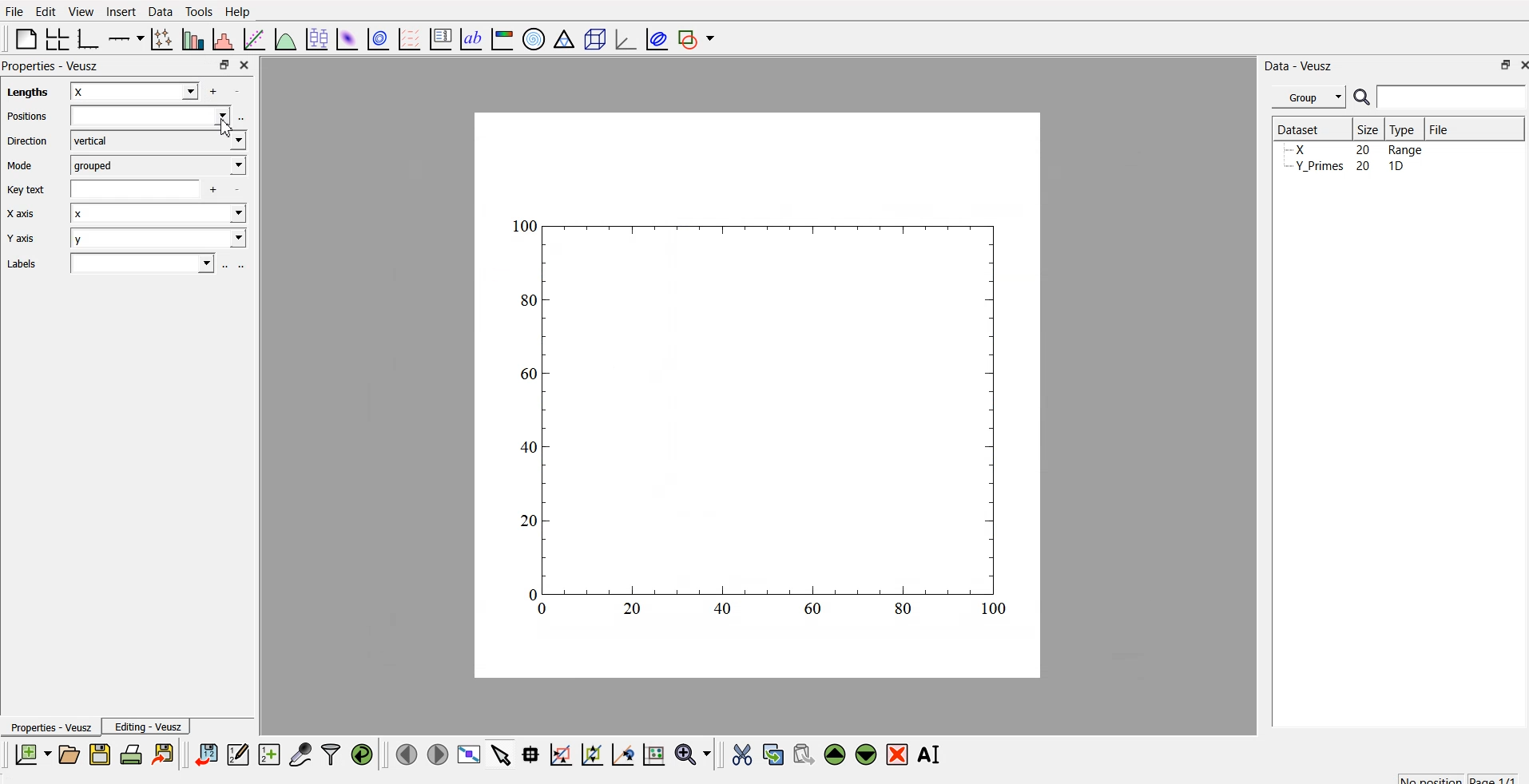 The width and height of the screenshot is (1529, 784). I want to click on rename the selected widget, so click(933, 752).